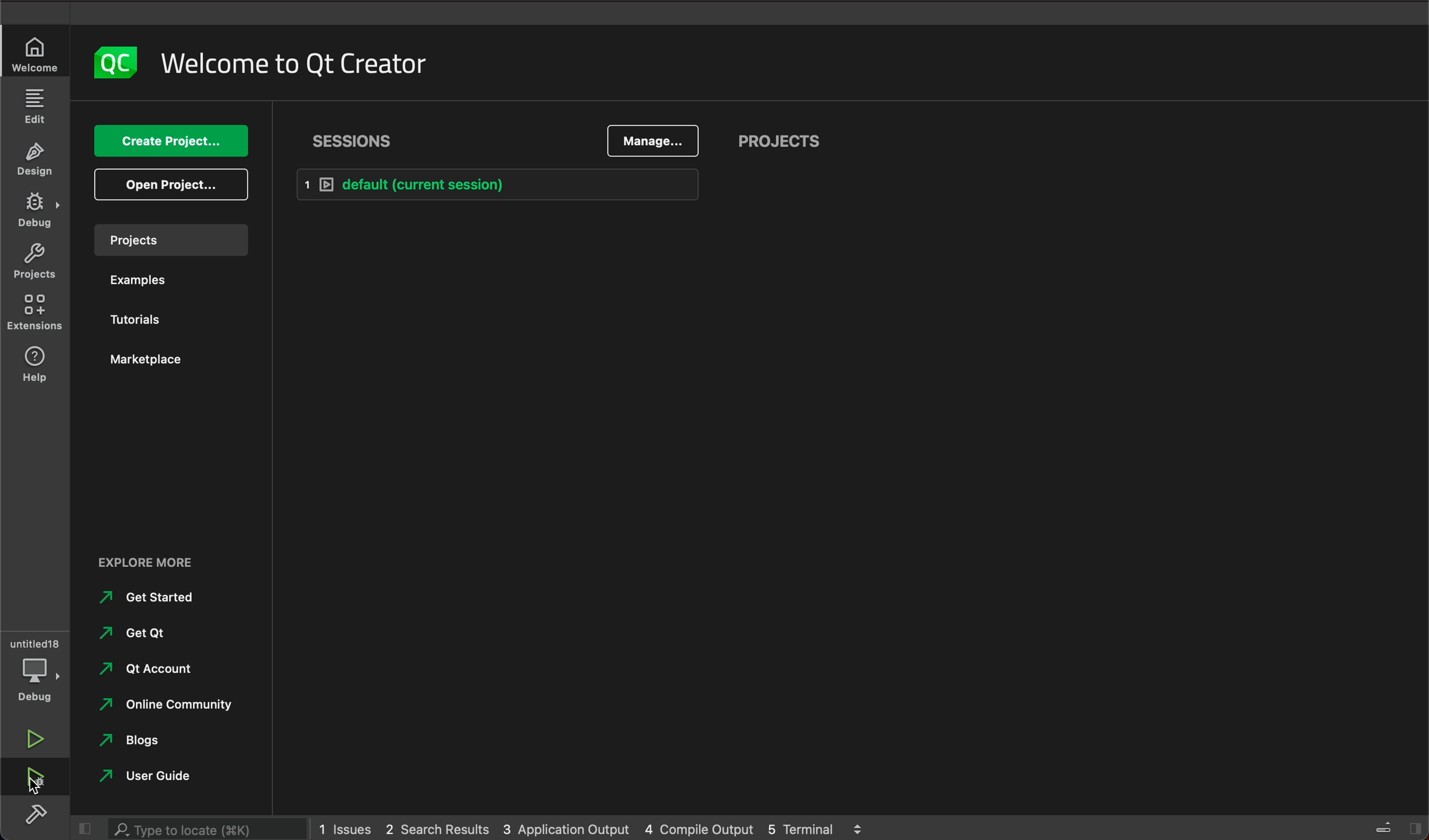 Image resolution: width=1429 pixels, height=840 pixels. Describe the element at coordinates (150, 595) in the screenshot. I see `Get Started` at that location.